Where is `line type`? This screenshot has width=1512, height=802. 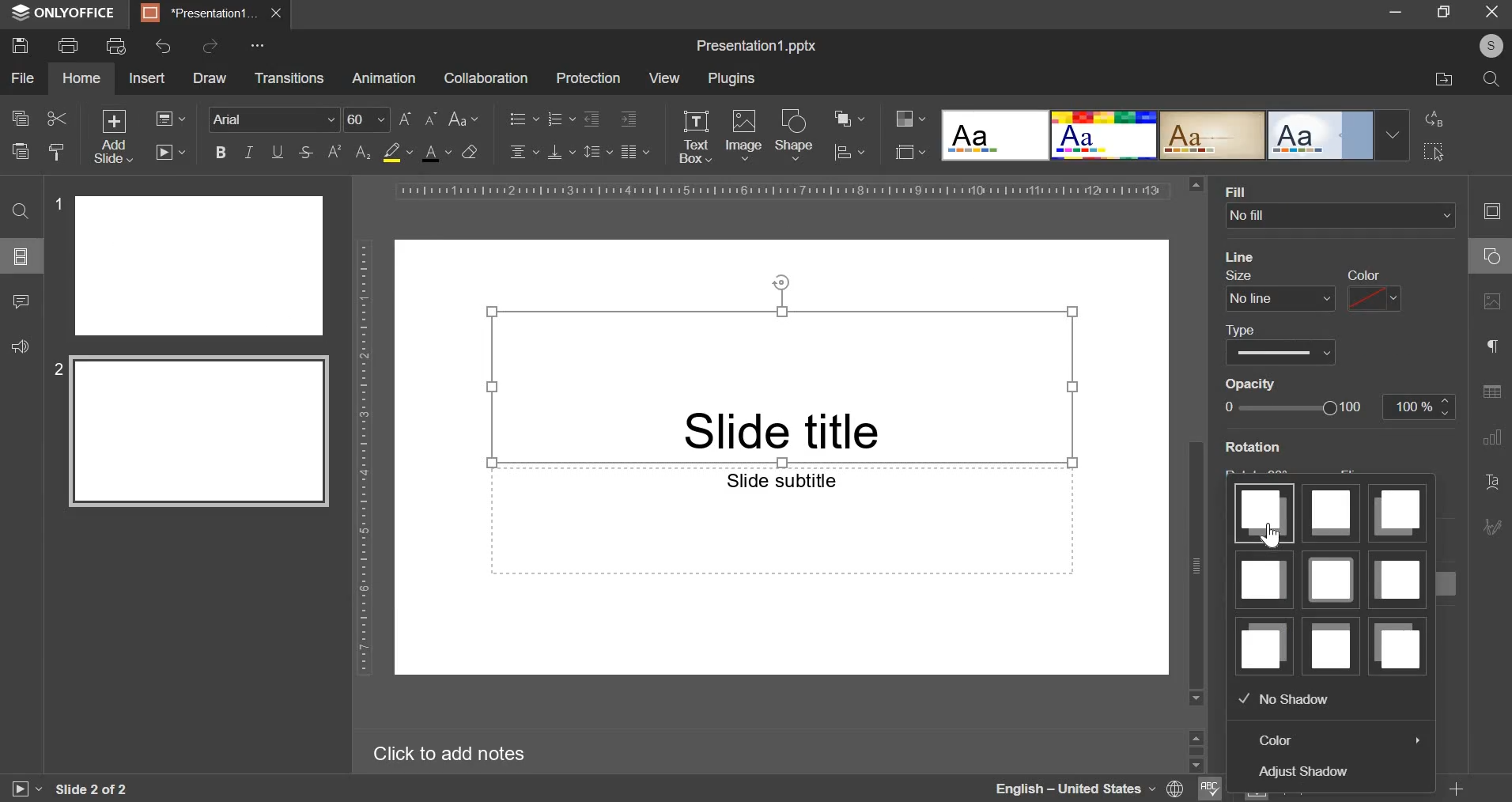
line type is located at coordinates (1280, 344).